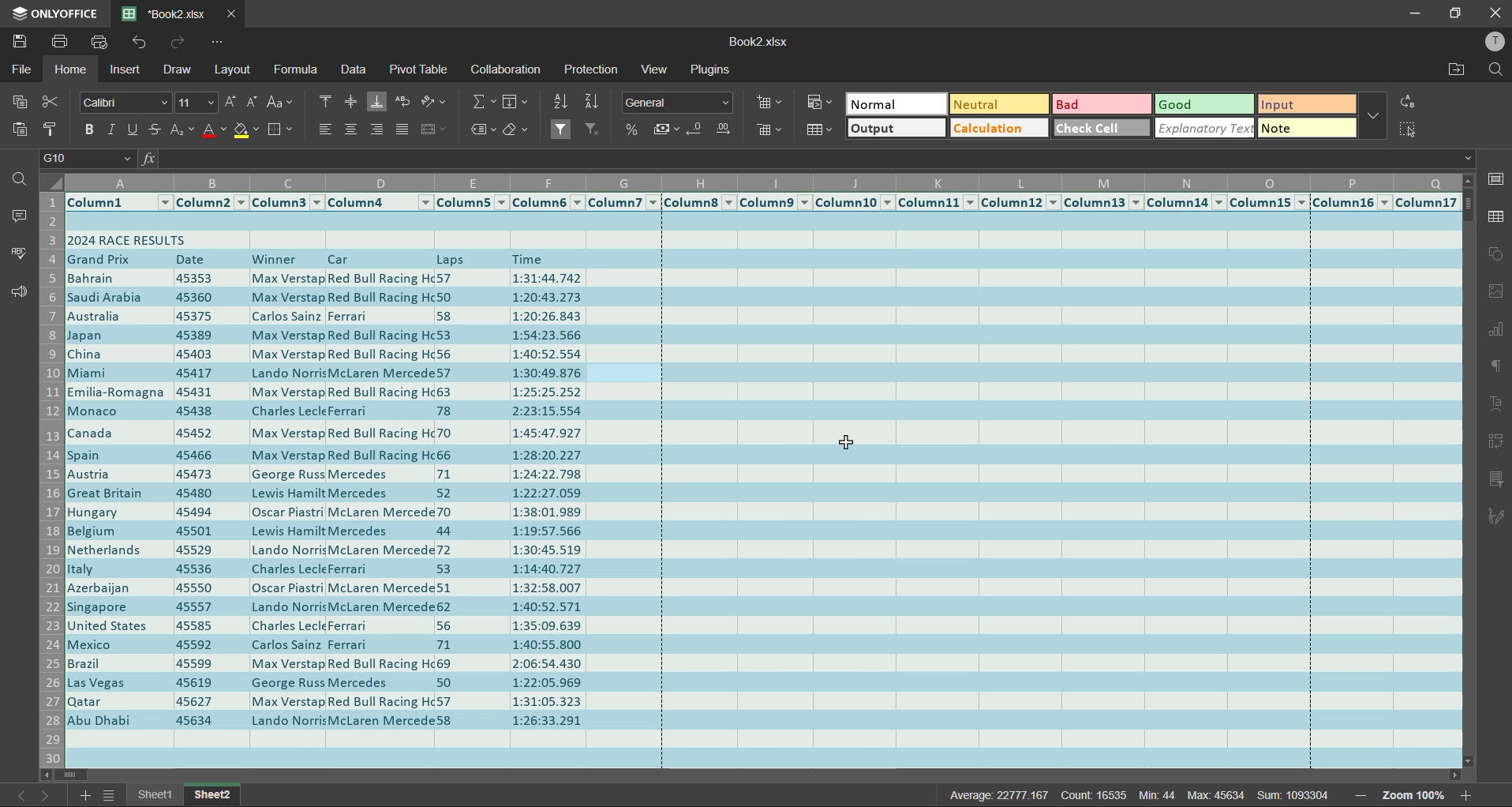 This screenshot has width=1512, height=807. What do you see at coordinates (1491, 69) in the screenshot?
I see `find` at bounding box center [1491, 69].